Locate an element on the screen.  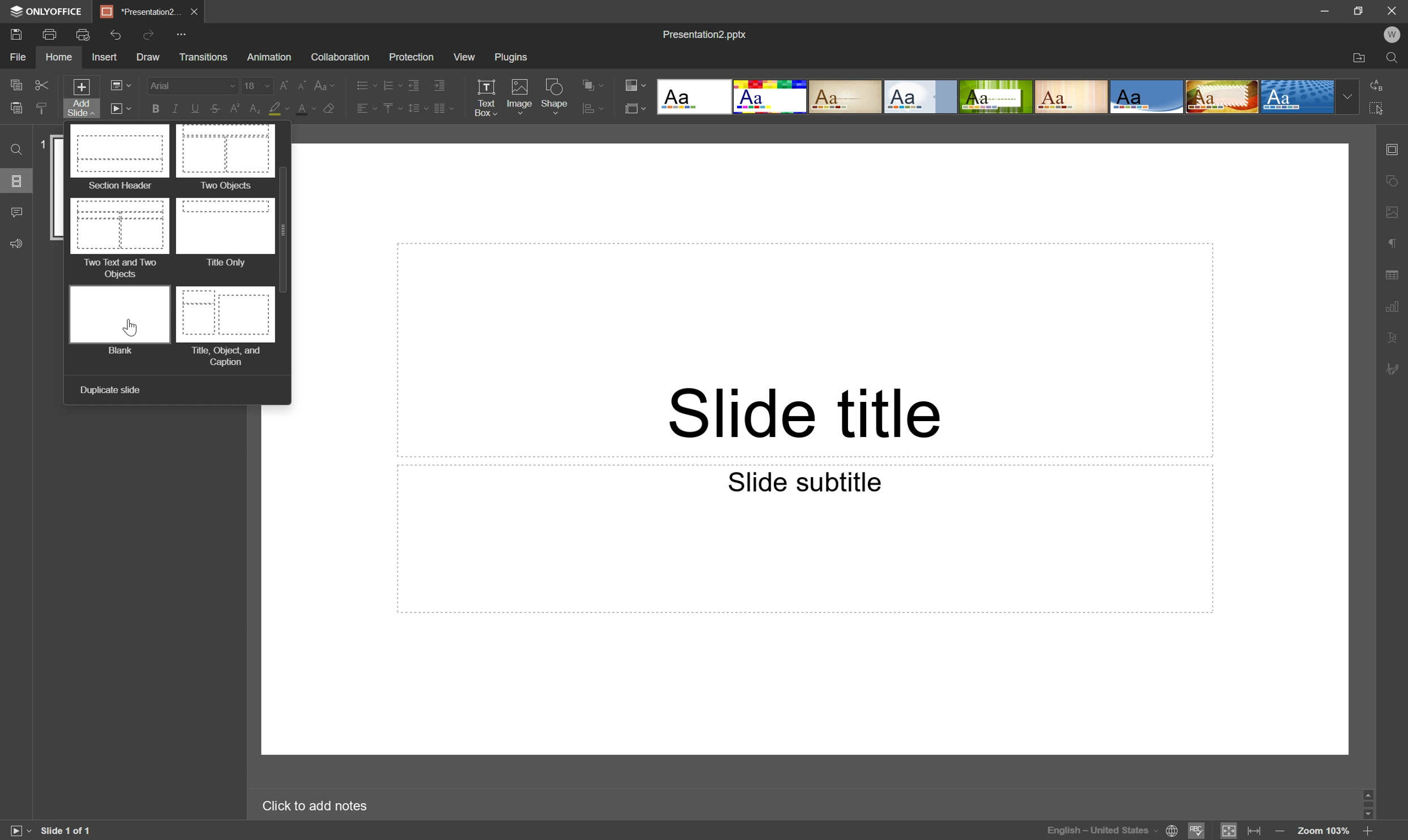
Insert columns is located at coordinates (444, 109).